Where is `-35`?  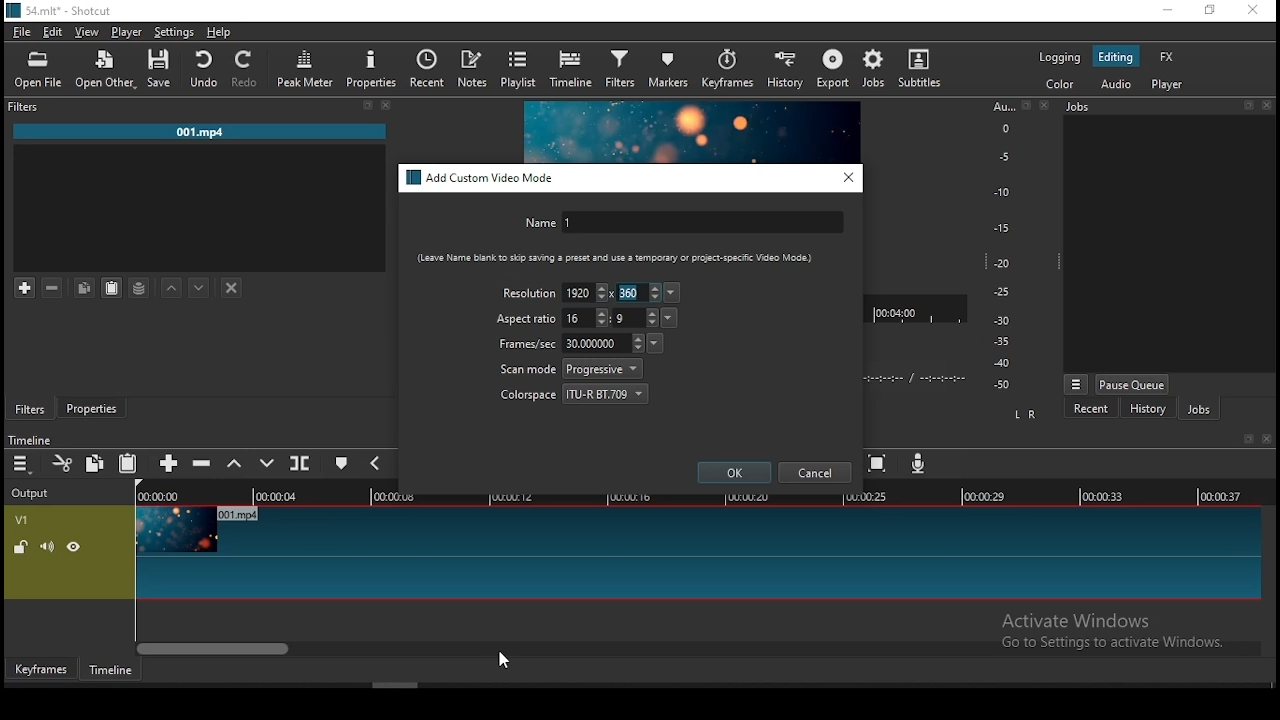
-35 is located at coordinates (998, 342).